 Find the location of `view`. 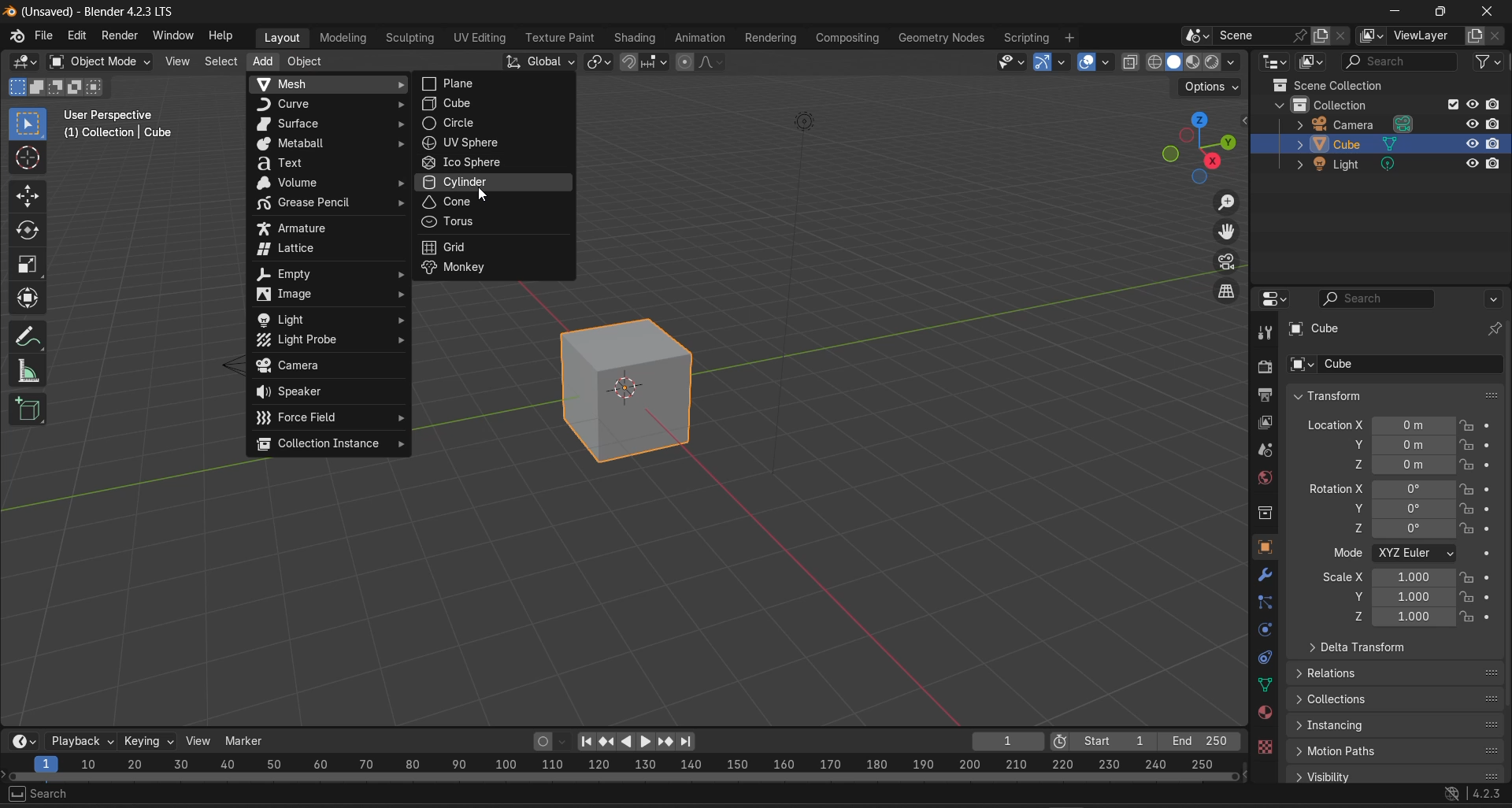

view is located at coordinates (198, 740).